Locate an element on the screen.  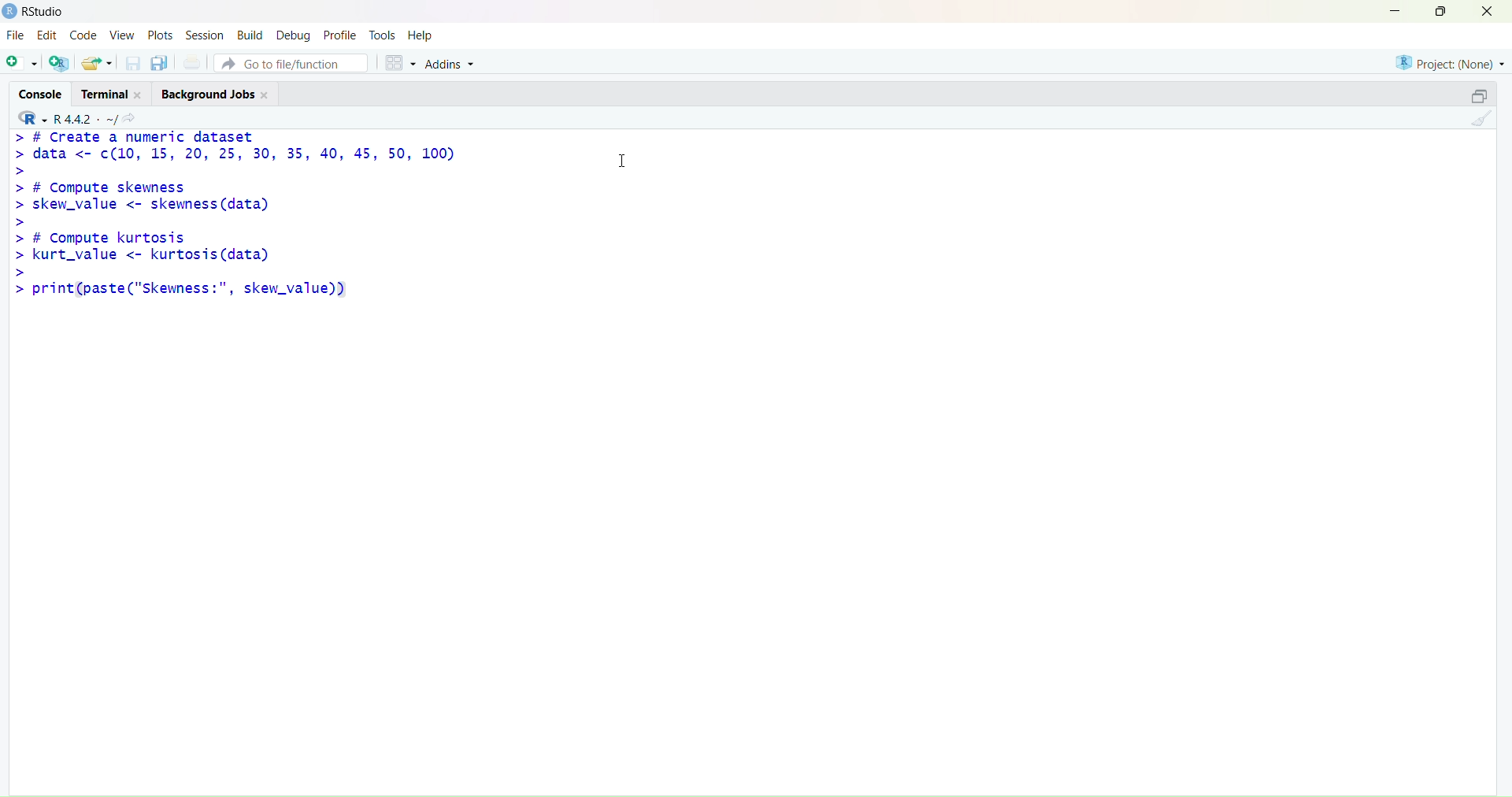
View is located at coordinates (120, 36).